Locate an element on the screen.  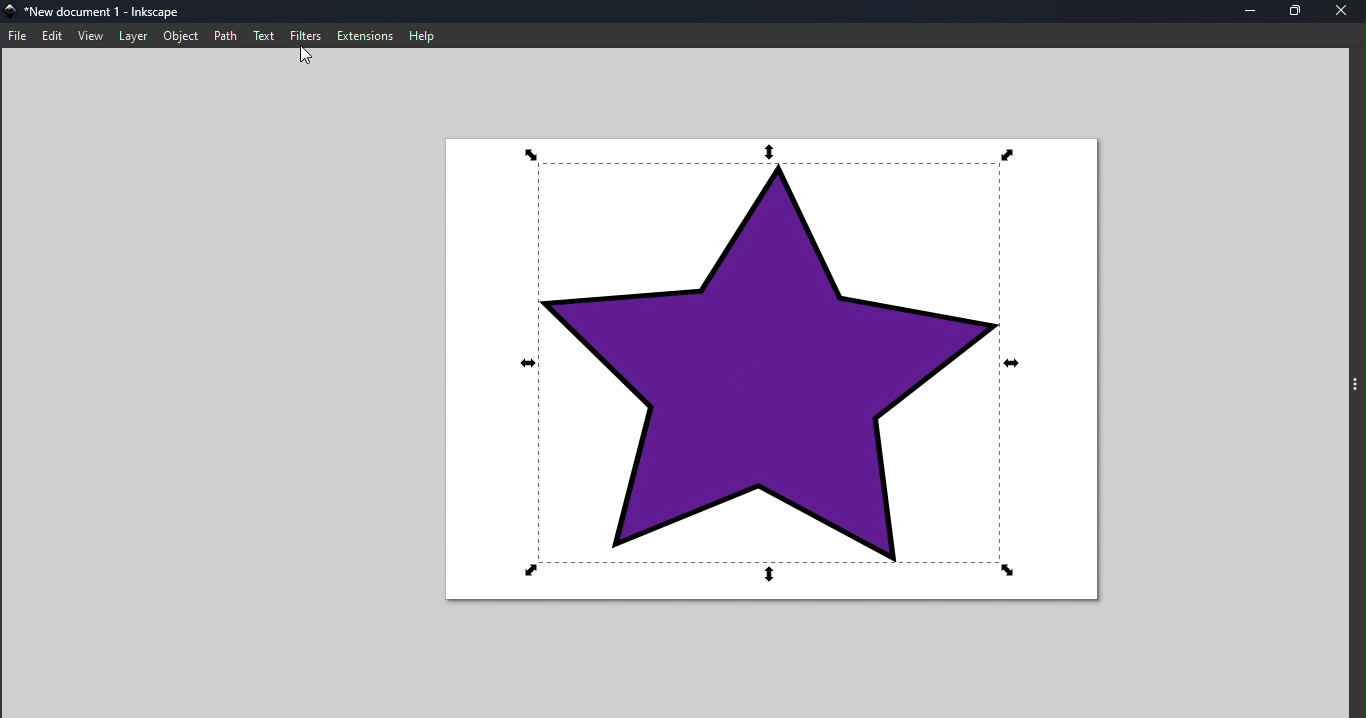
Filters is located at coordinates (303, 35).